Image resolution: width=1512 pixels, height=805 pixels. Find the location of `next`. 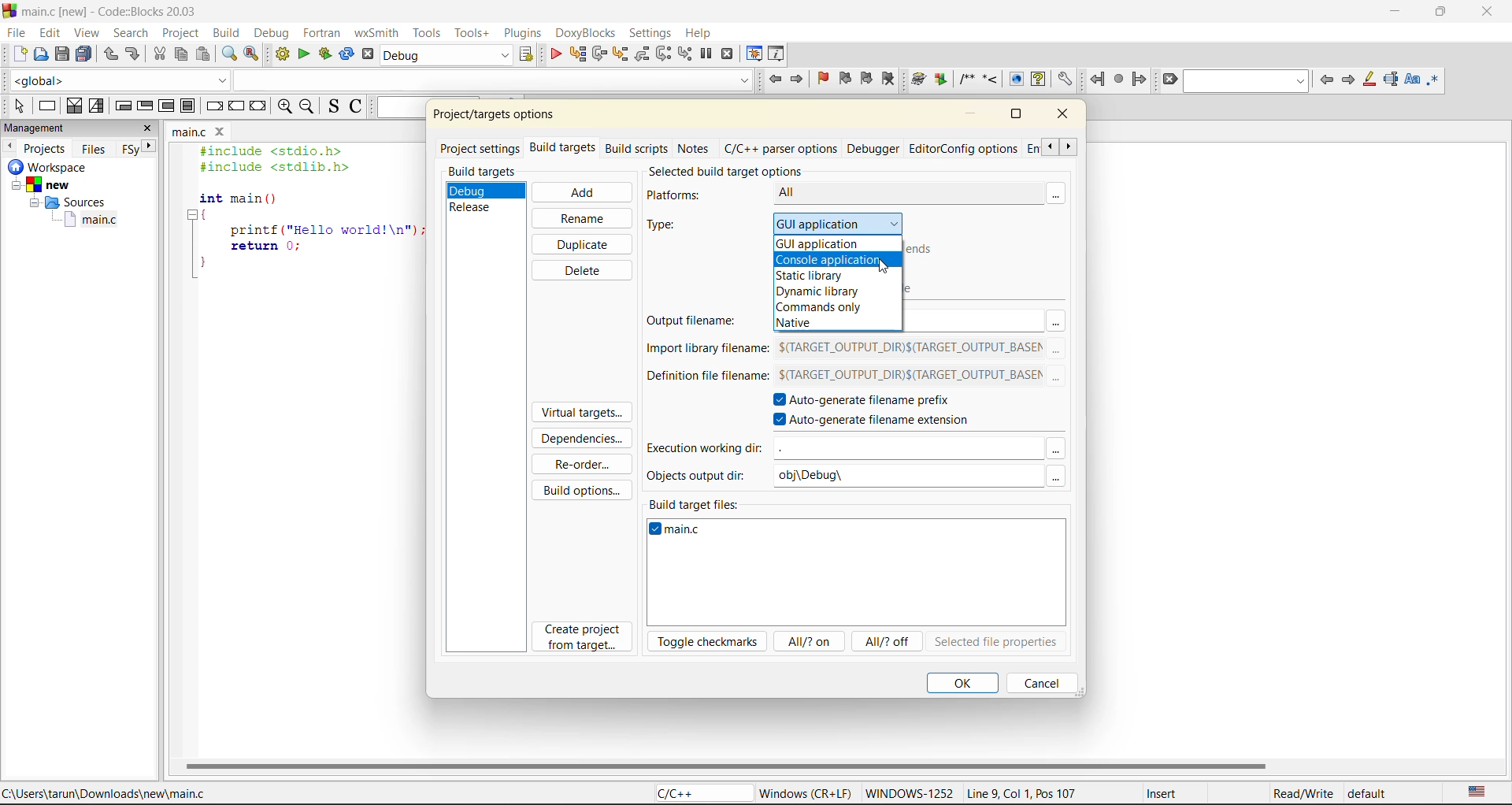

next is located at coordinates (151, 146).